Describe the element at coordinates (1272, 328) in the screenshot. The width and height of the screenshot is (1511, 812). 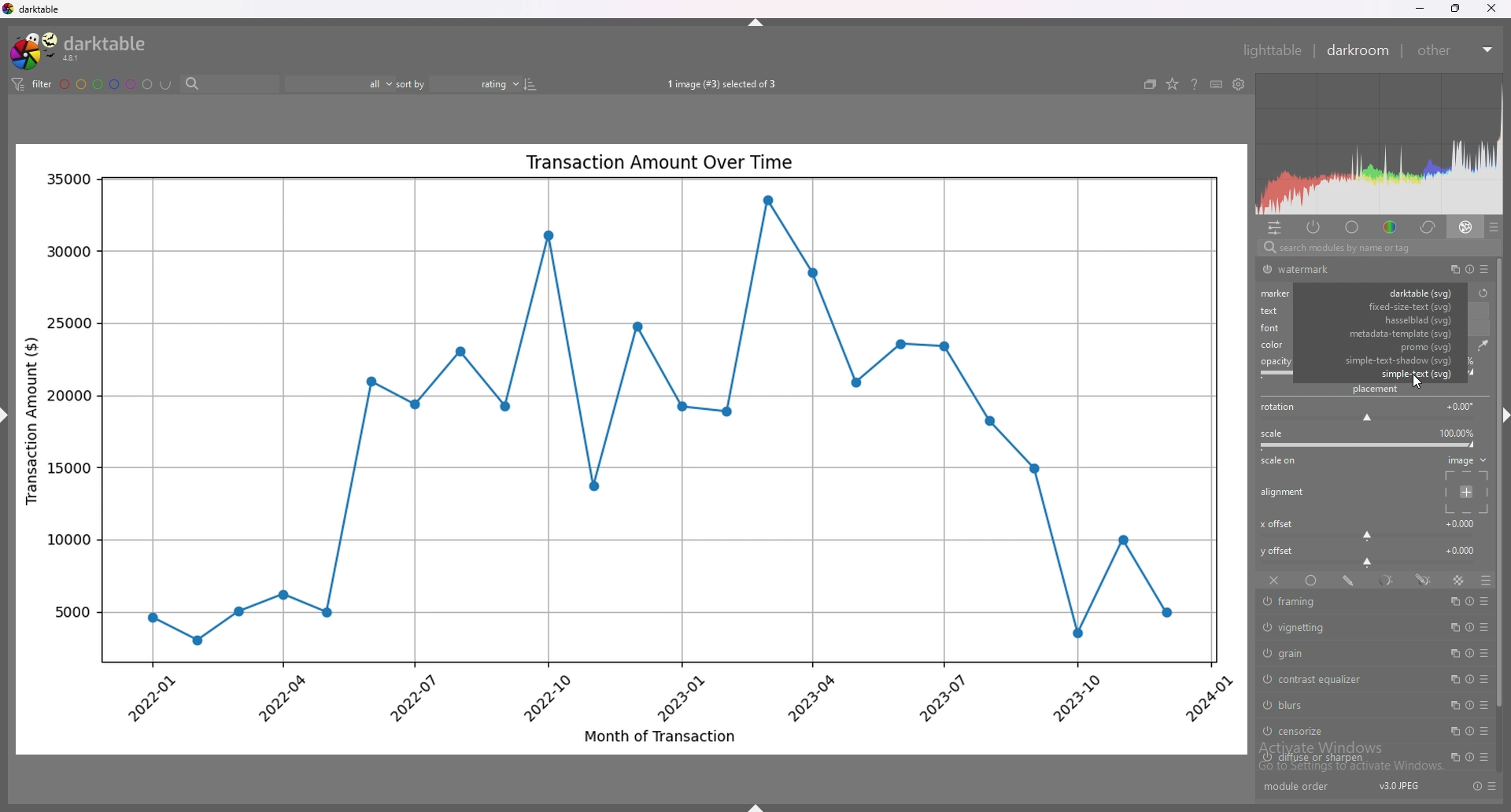
I see `font` at that location.